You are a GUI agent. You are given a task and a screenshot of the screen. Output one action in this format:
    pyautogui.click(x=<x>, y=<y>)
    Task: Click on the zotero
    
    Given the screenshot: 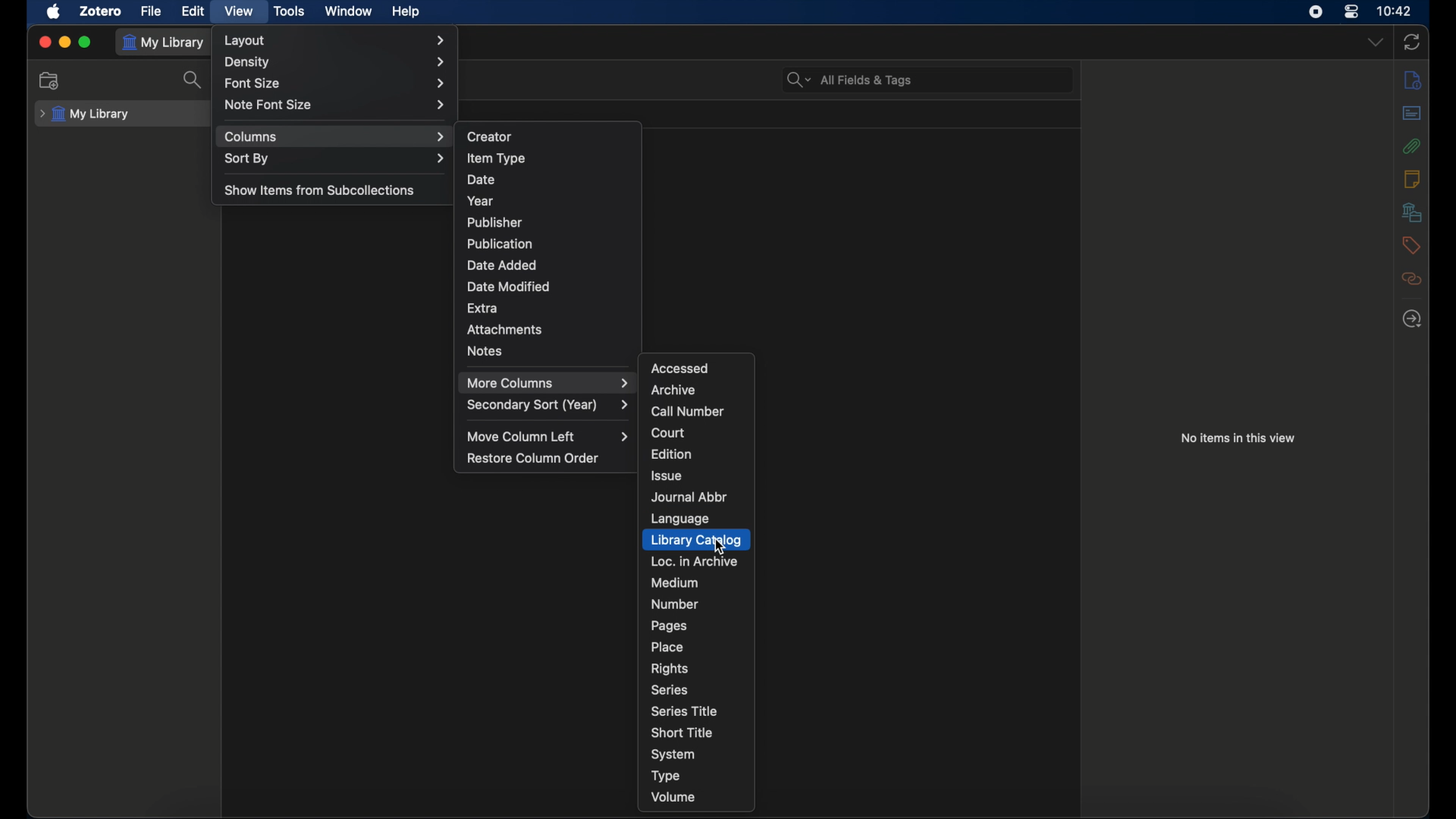 What is the action you would take?
    pyautogui.click(x=99, y=11)
    